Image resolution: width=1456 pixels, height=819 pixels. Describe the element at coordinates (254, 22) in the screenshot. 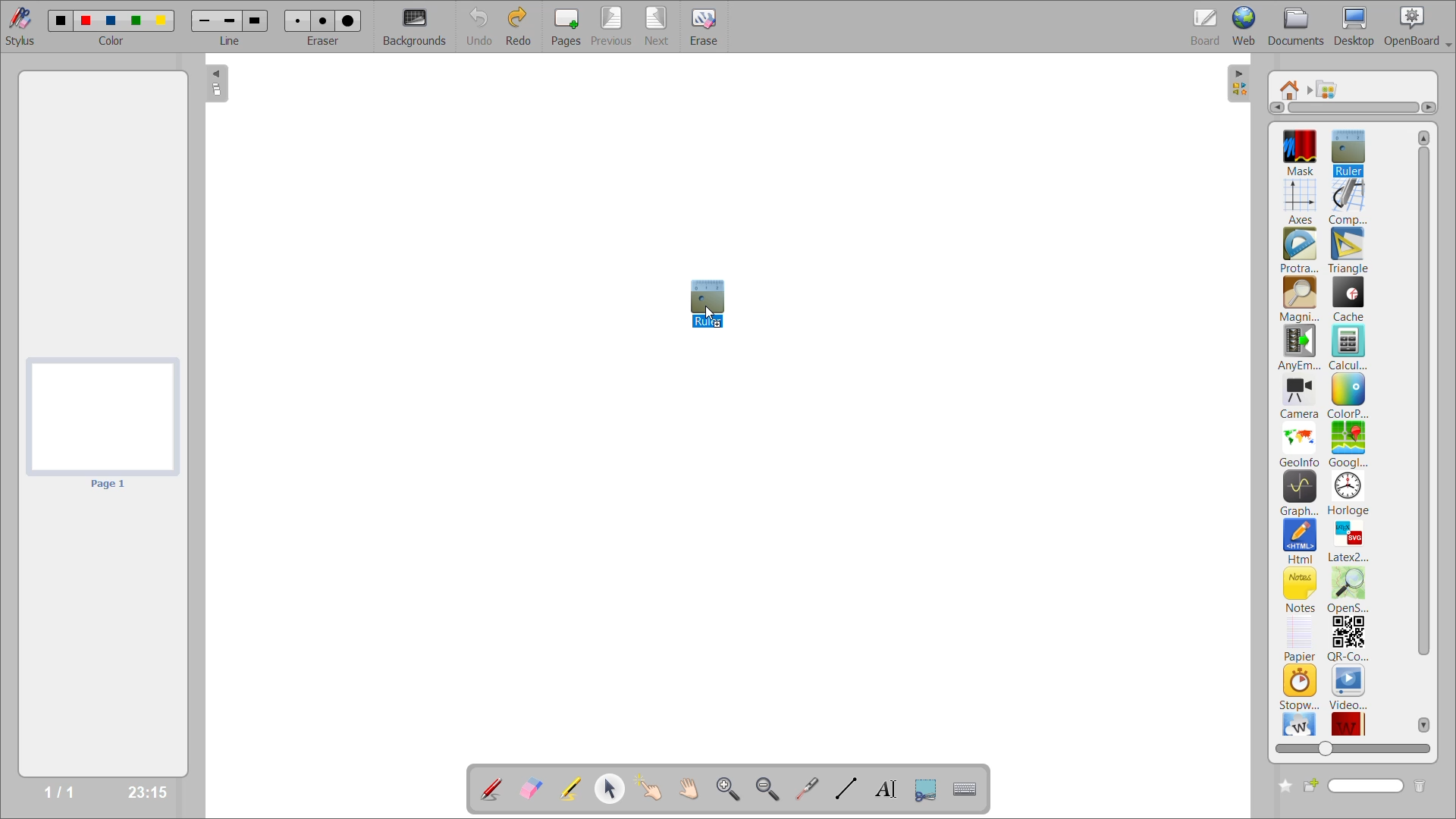

I see `line 3` at that location.